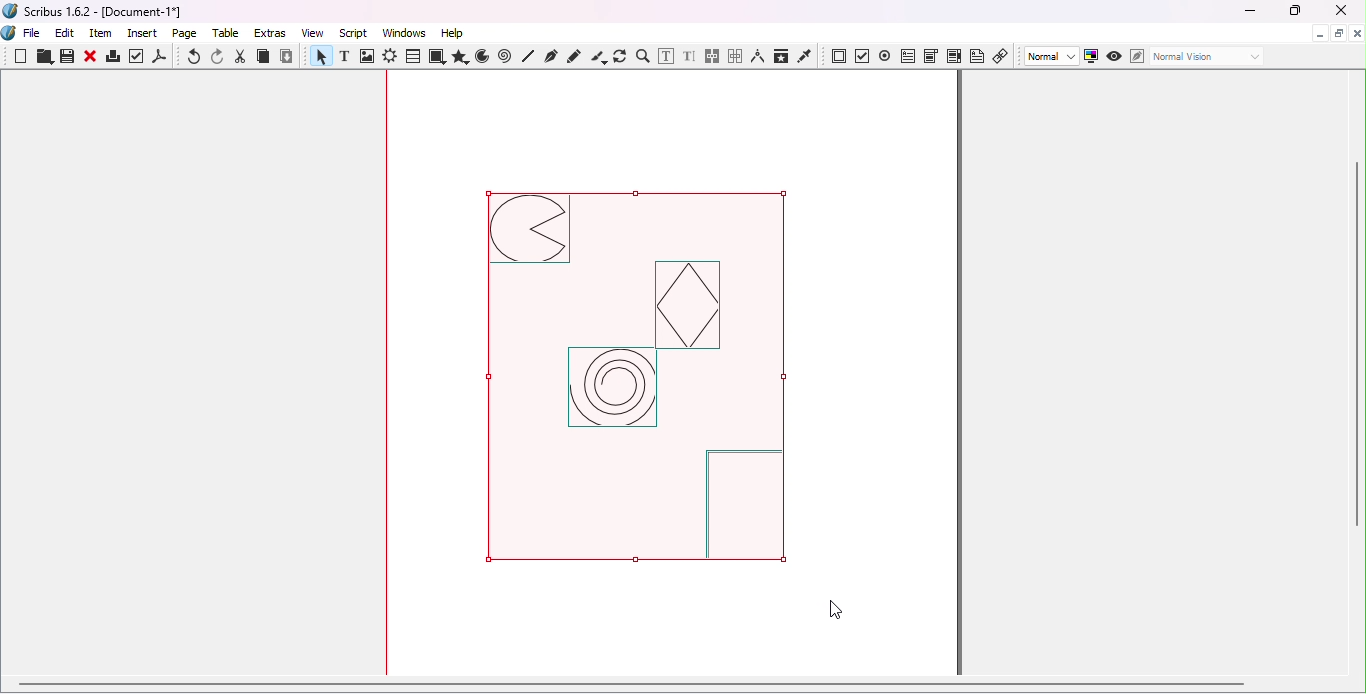  I want to click on Shapes, so click(436, 57).